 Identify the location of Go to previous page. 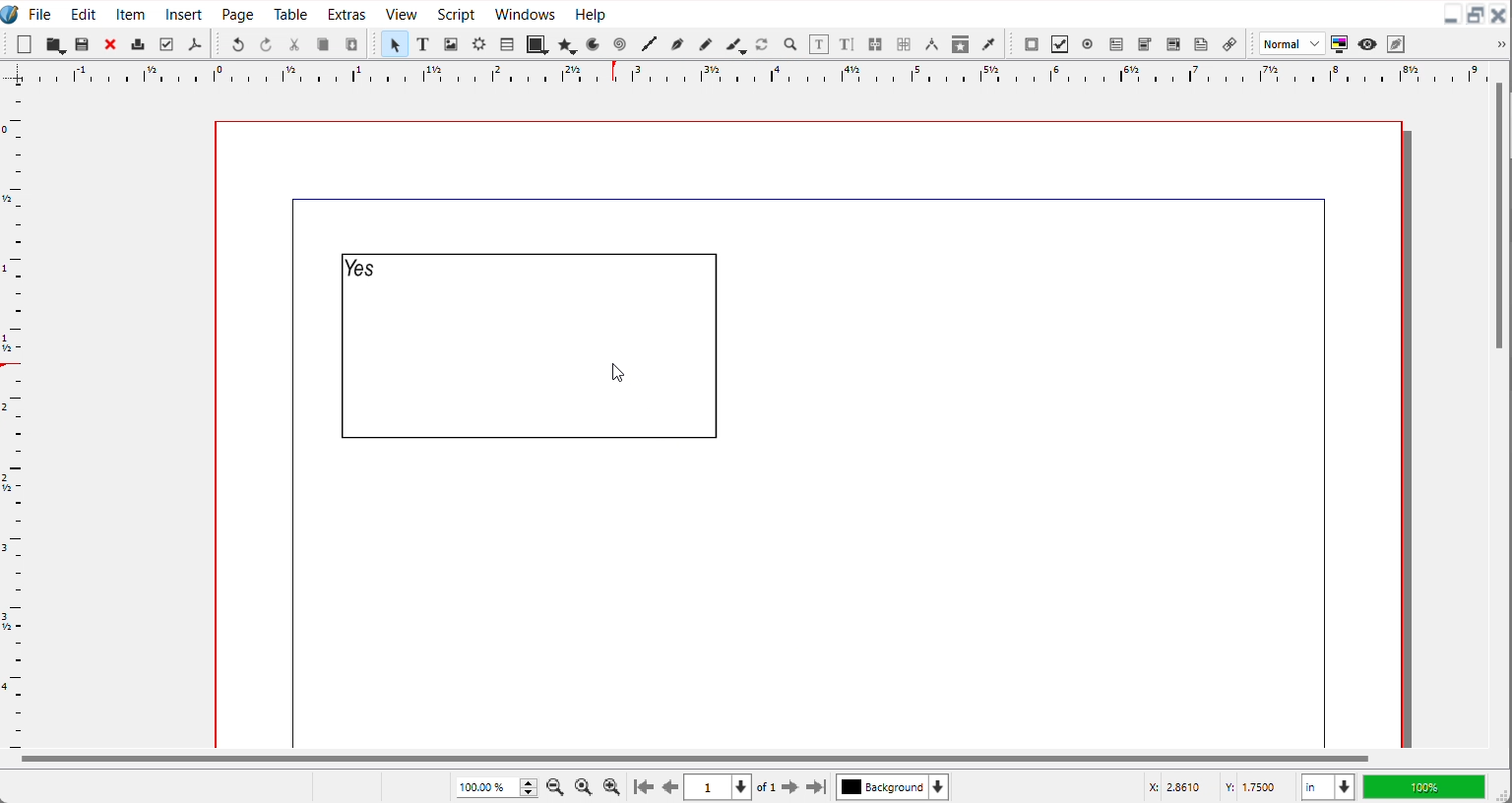
(670, 787).